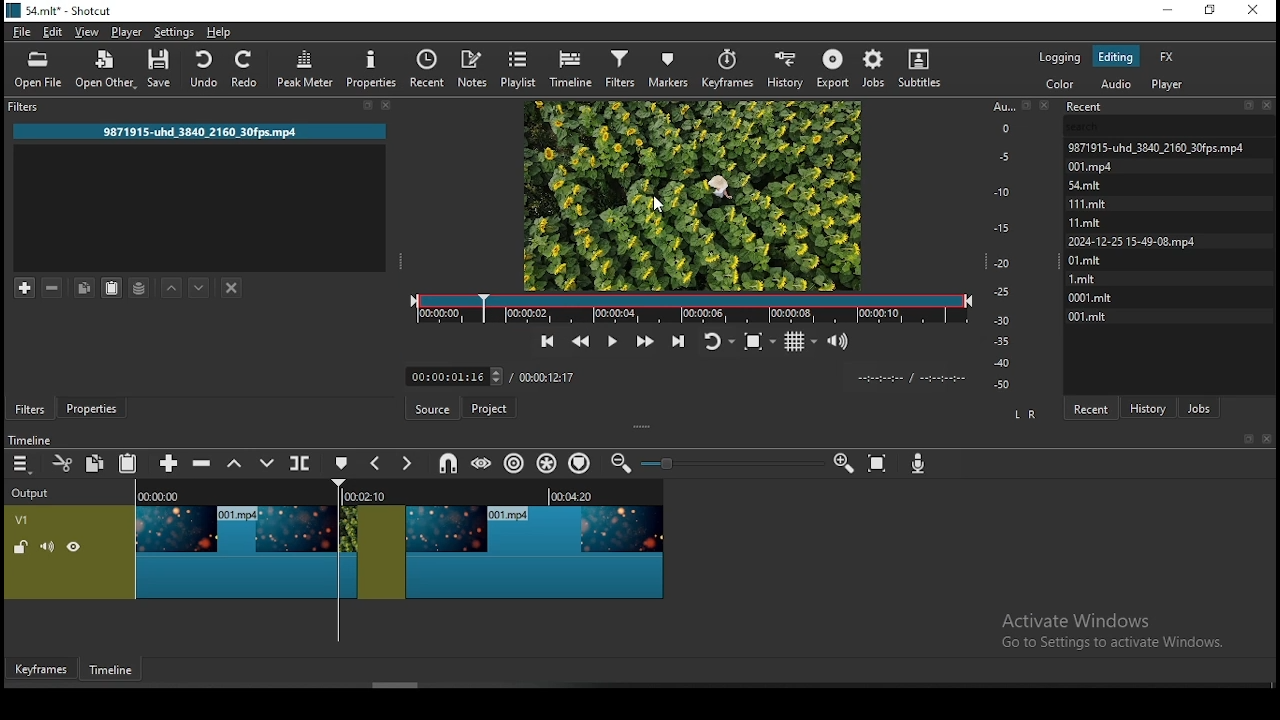 The height and width of the screenshot is (720, 1280). Describe the element at coordinates (511, 463) in the screenshot. I see `ripple` at that location.